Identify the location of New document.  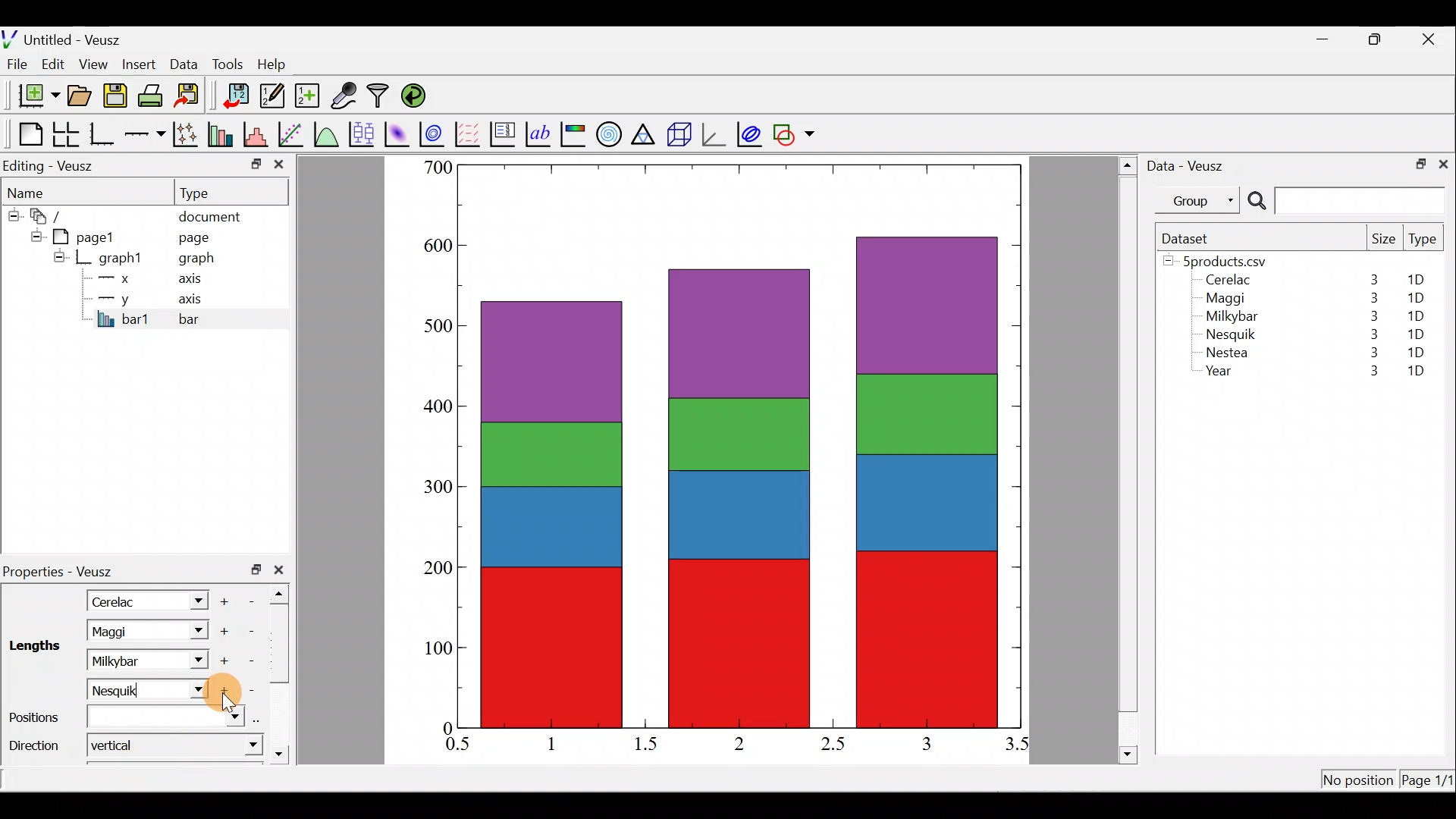
(33, 96).